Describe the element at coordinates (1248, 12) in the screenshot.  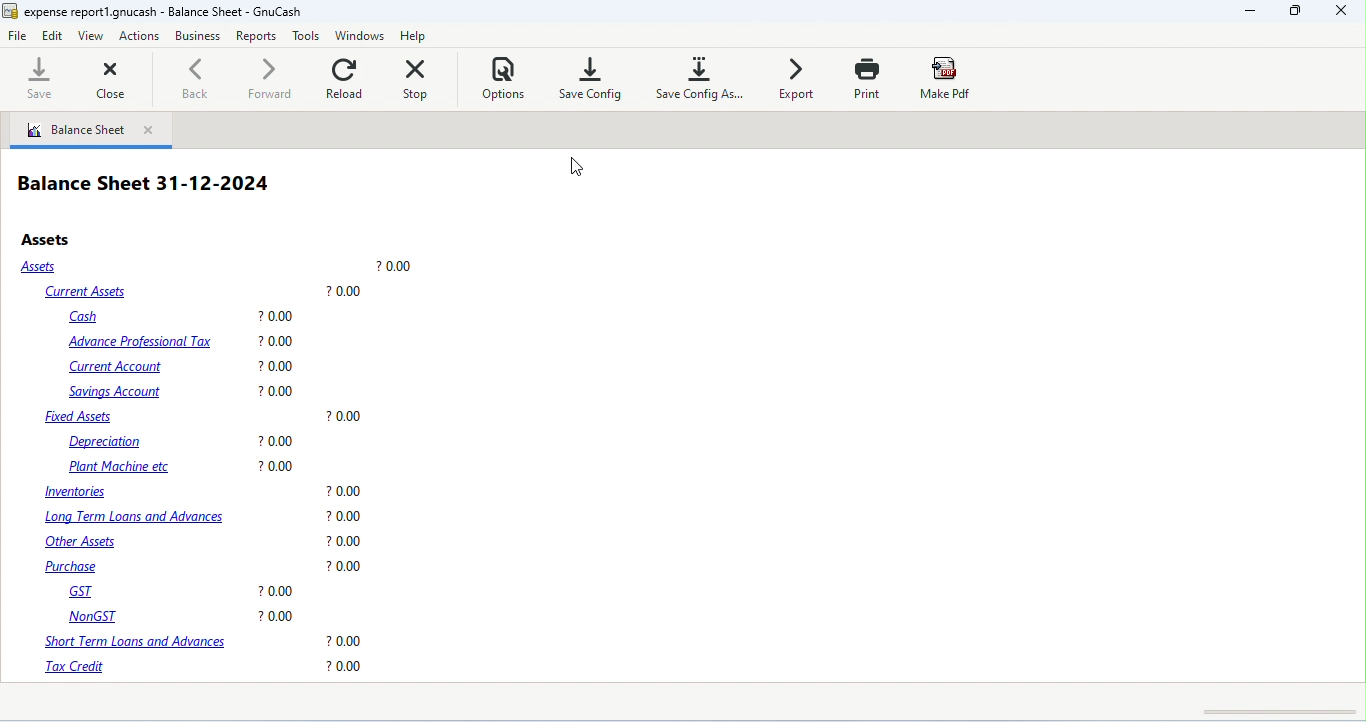
I see `minimize` at that location.